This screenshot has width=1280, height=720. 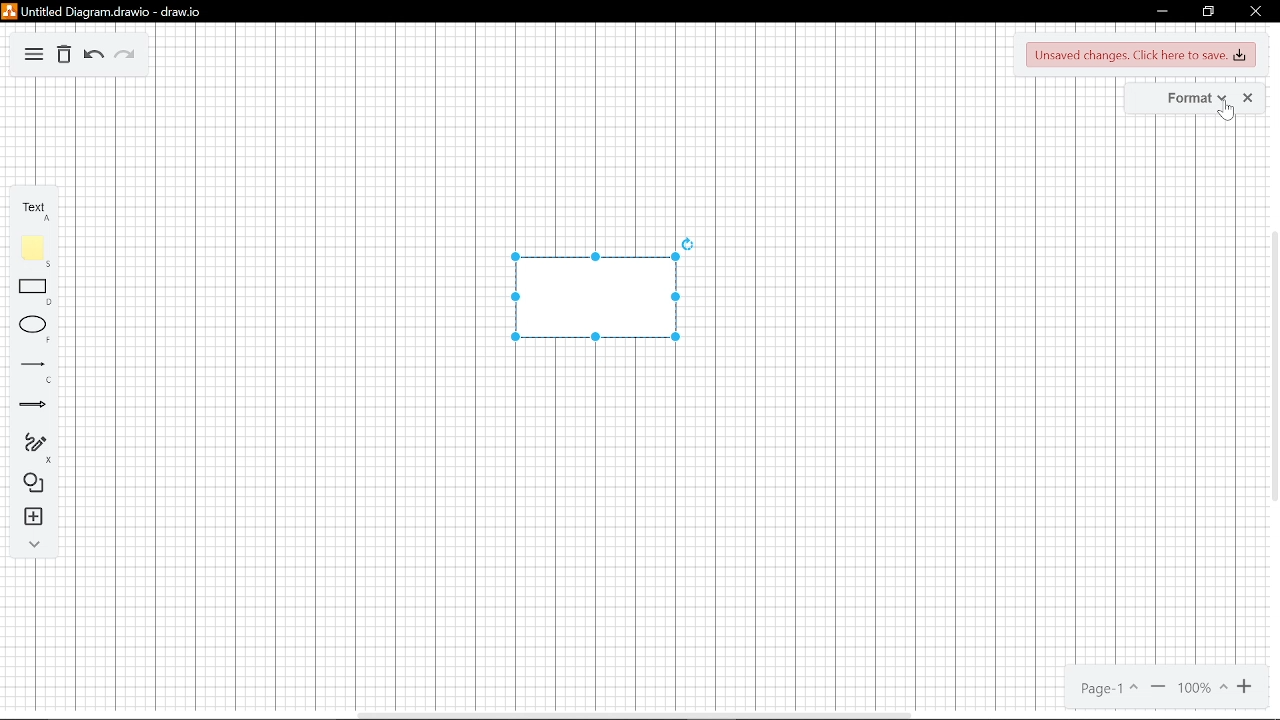 I want to click on back, so click(x=93, y=54).